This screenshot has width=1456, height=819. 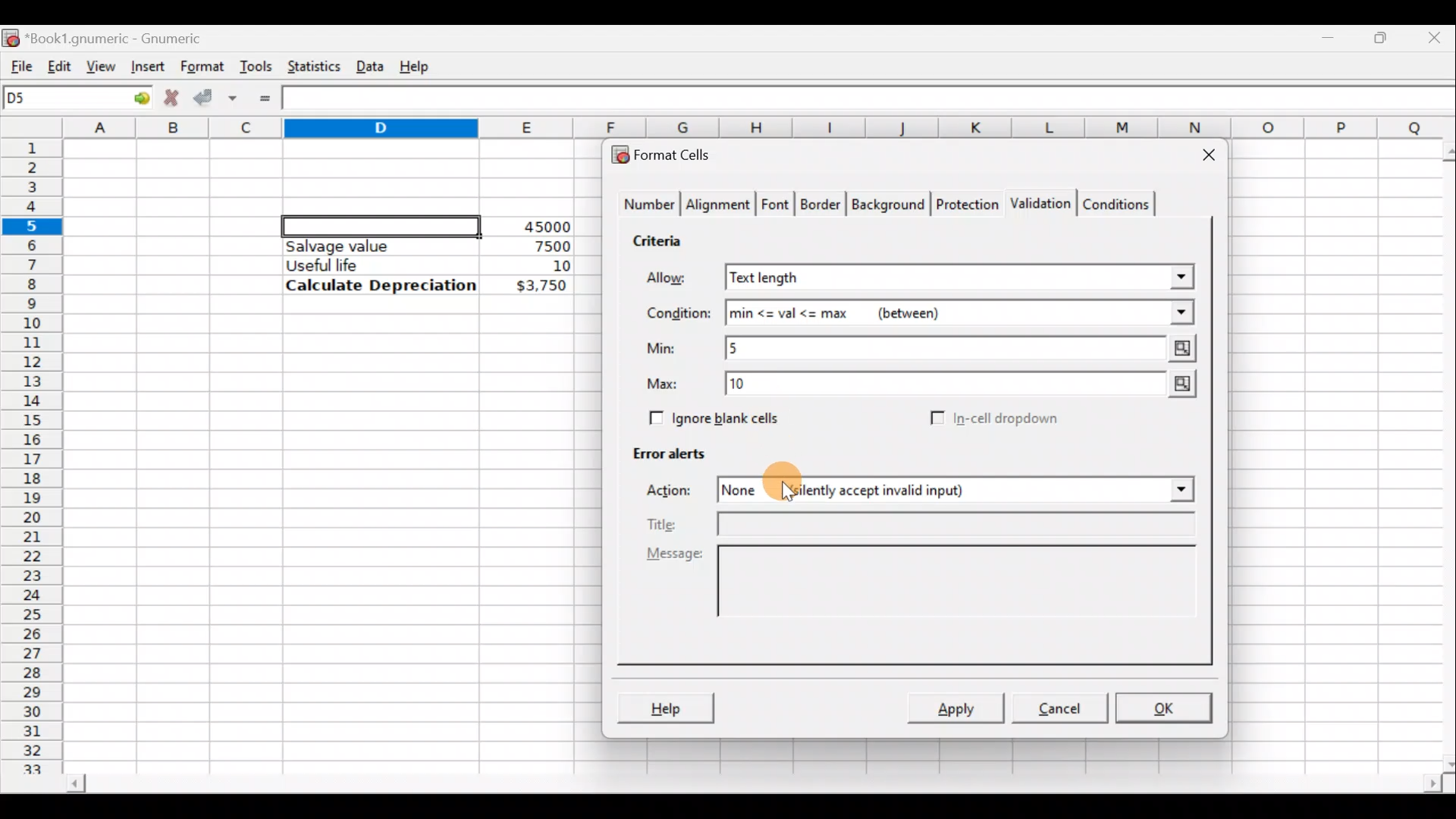 What do you see at coordinates (1057, 707) in the screenshot?
I see `Cancel` at bounding box center [1057, 707].